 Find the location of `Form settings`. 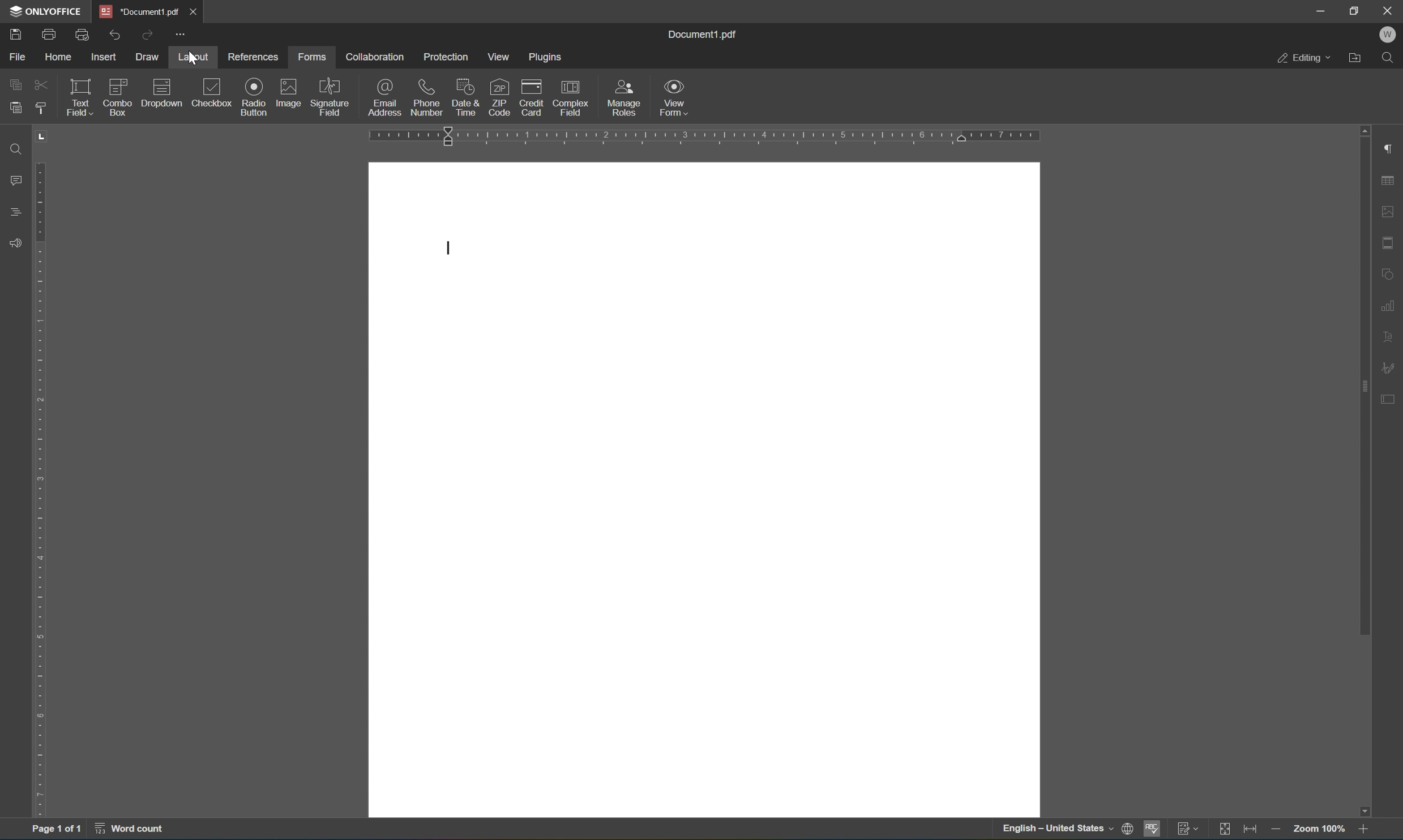

Form settings is located at coordinates (1388, 397).